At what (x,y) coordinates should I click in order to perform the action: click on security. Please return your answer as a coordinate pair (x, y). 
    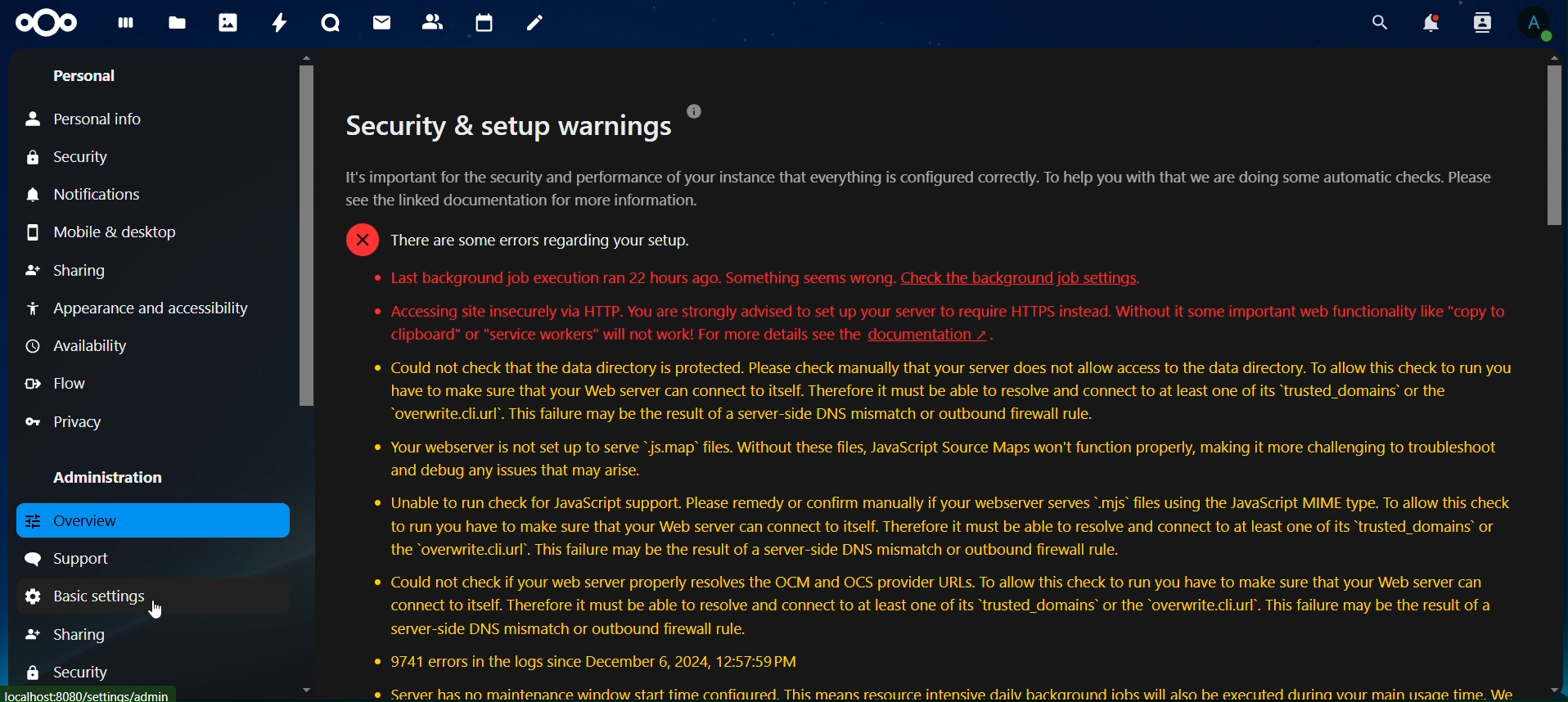
    Looking at the image, I should click on (78, 160).